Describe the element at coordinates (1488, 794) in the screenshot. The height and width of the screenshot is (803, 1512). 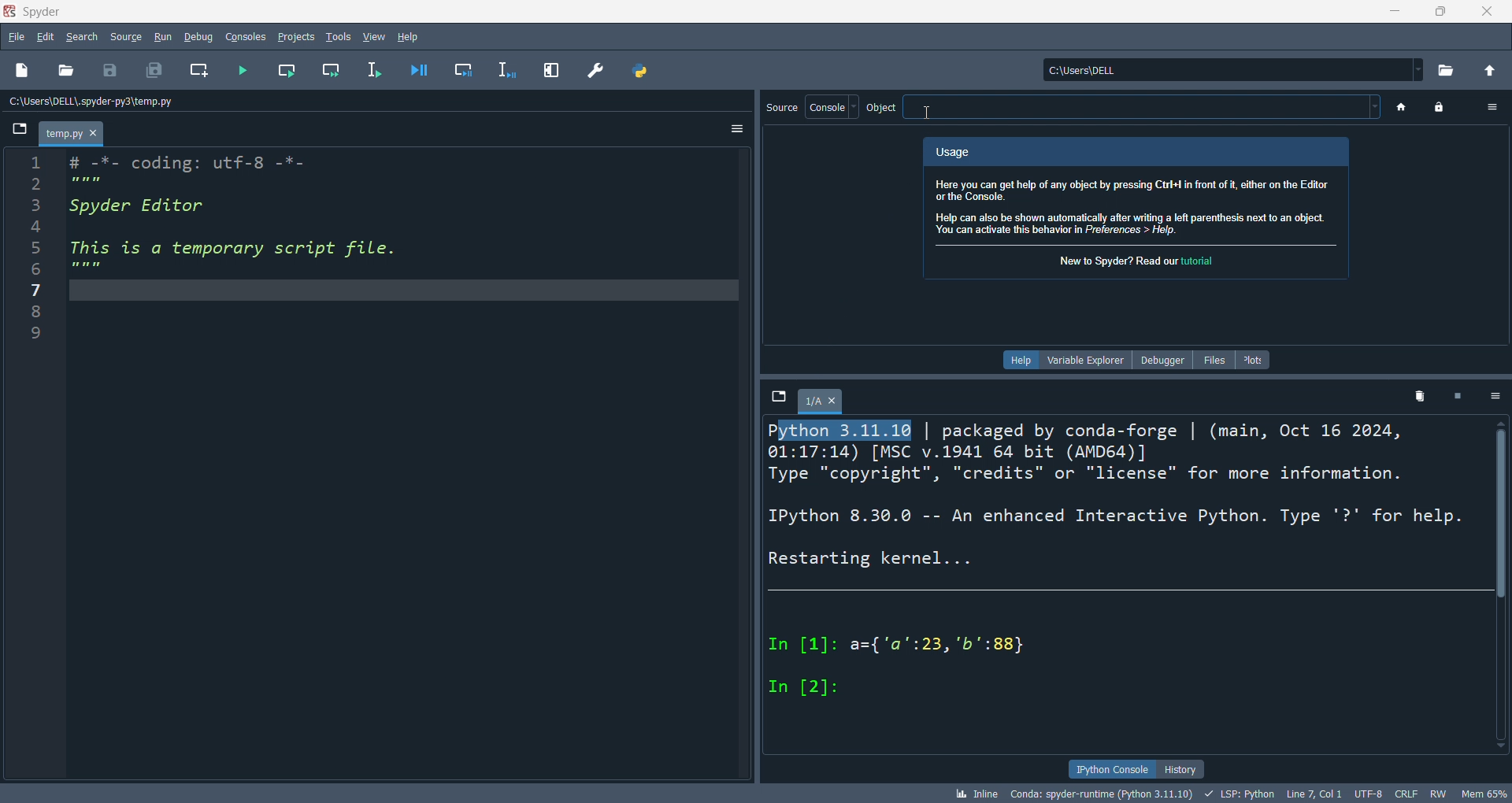
I see `mem 65%` at that location.